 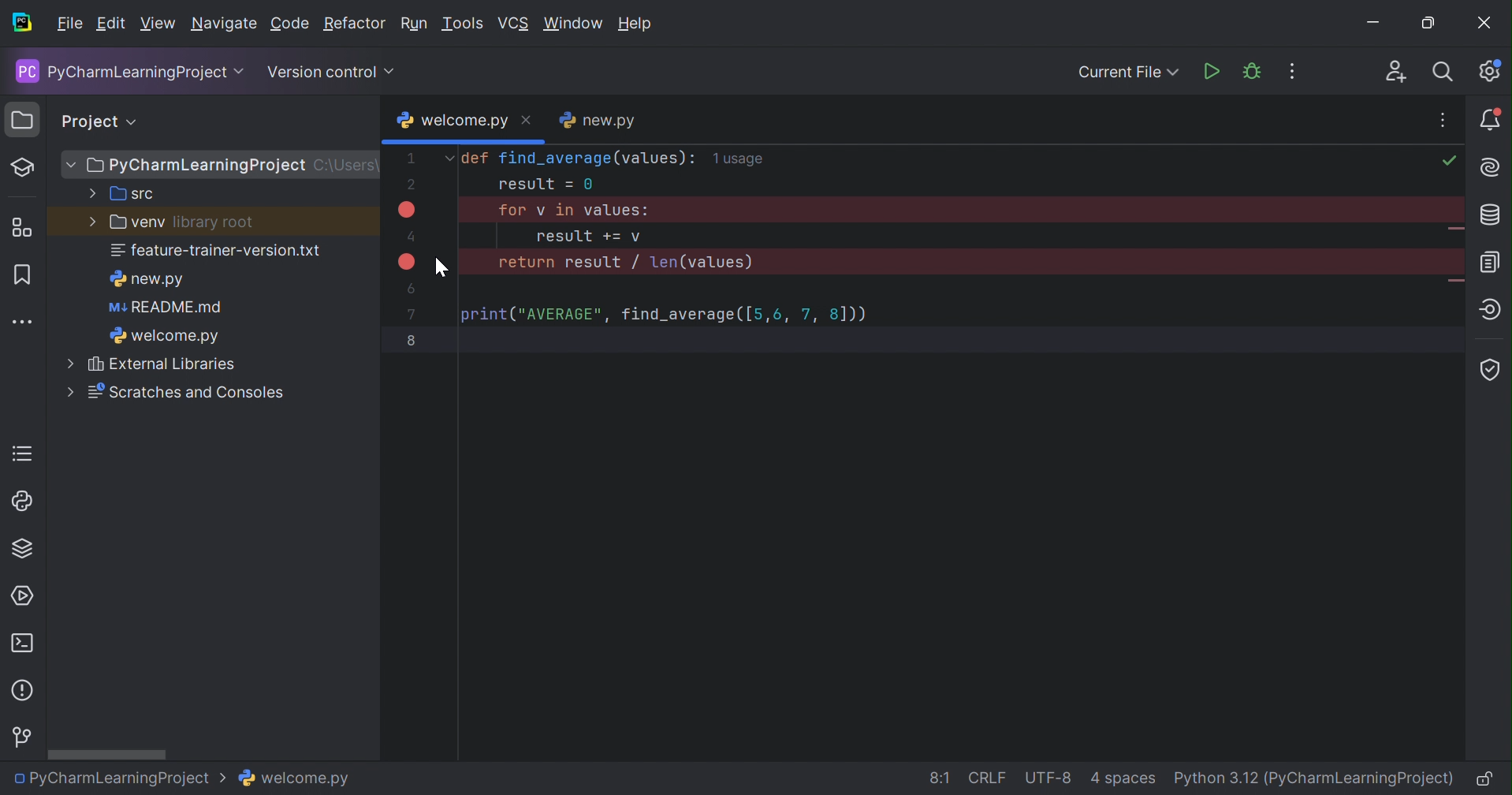 What do you see at coordinates (1493, 310) in the screenshot?
I see `Endpoints` at bounding box center [1493, 310].